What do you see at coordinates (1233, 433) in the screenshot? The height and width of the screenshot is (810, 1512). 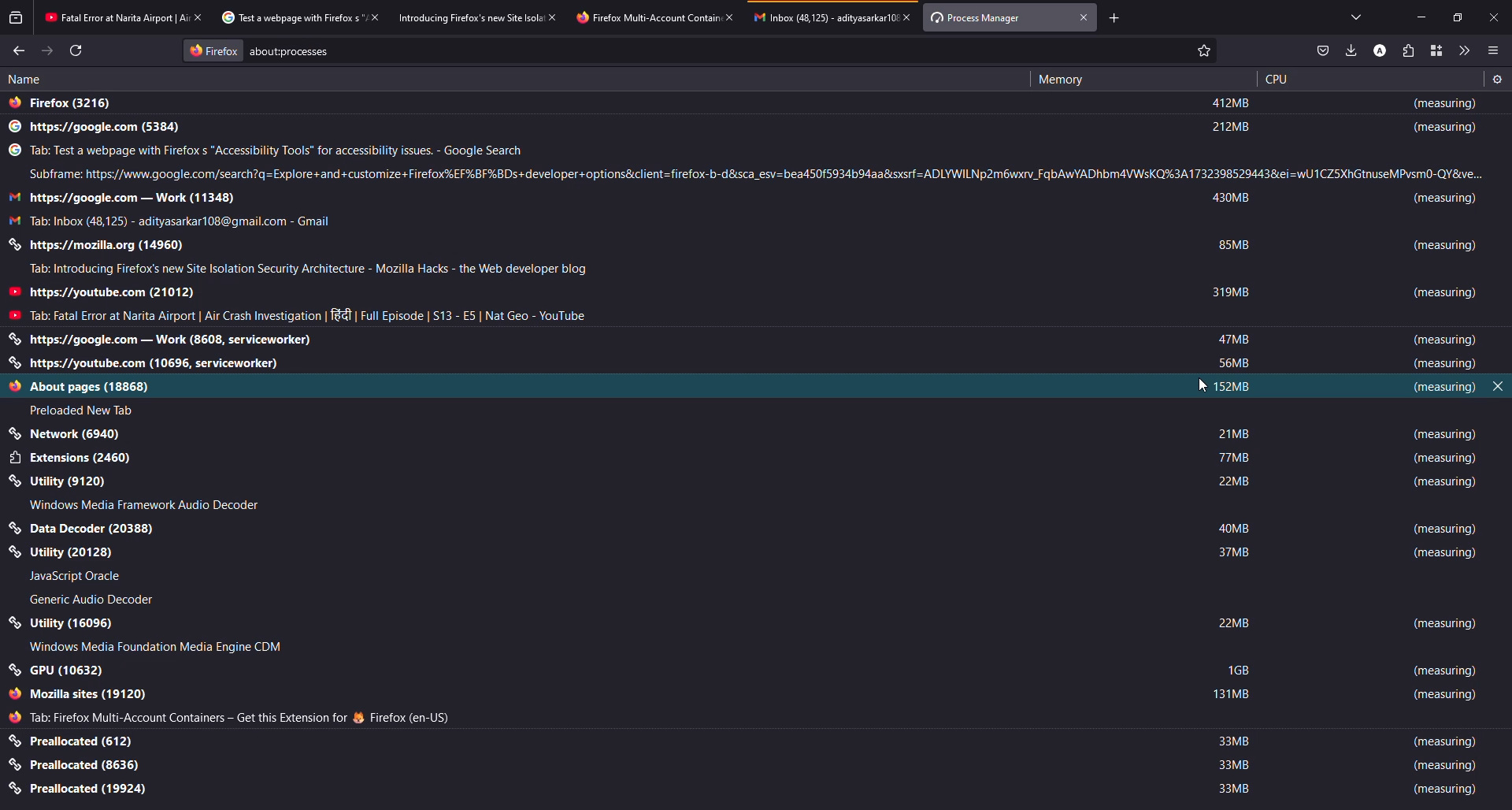 I see `21 mb` at bounding box center [1233, 433].